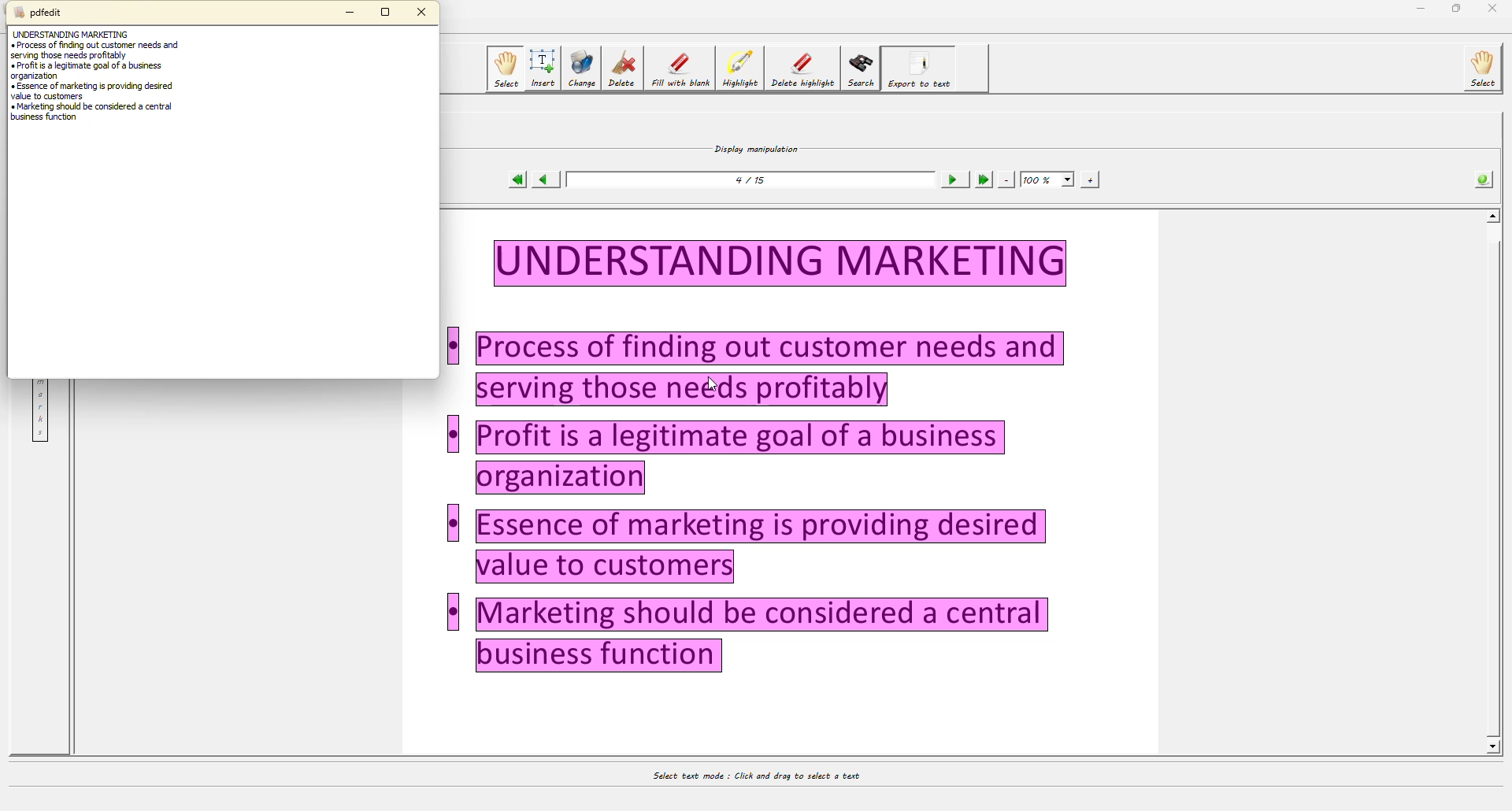  What do you see at coordinates (1495, 750) in the screenshot?
I see `` at bounding box center [1495, 750].